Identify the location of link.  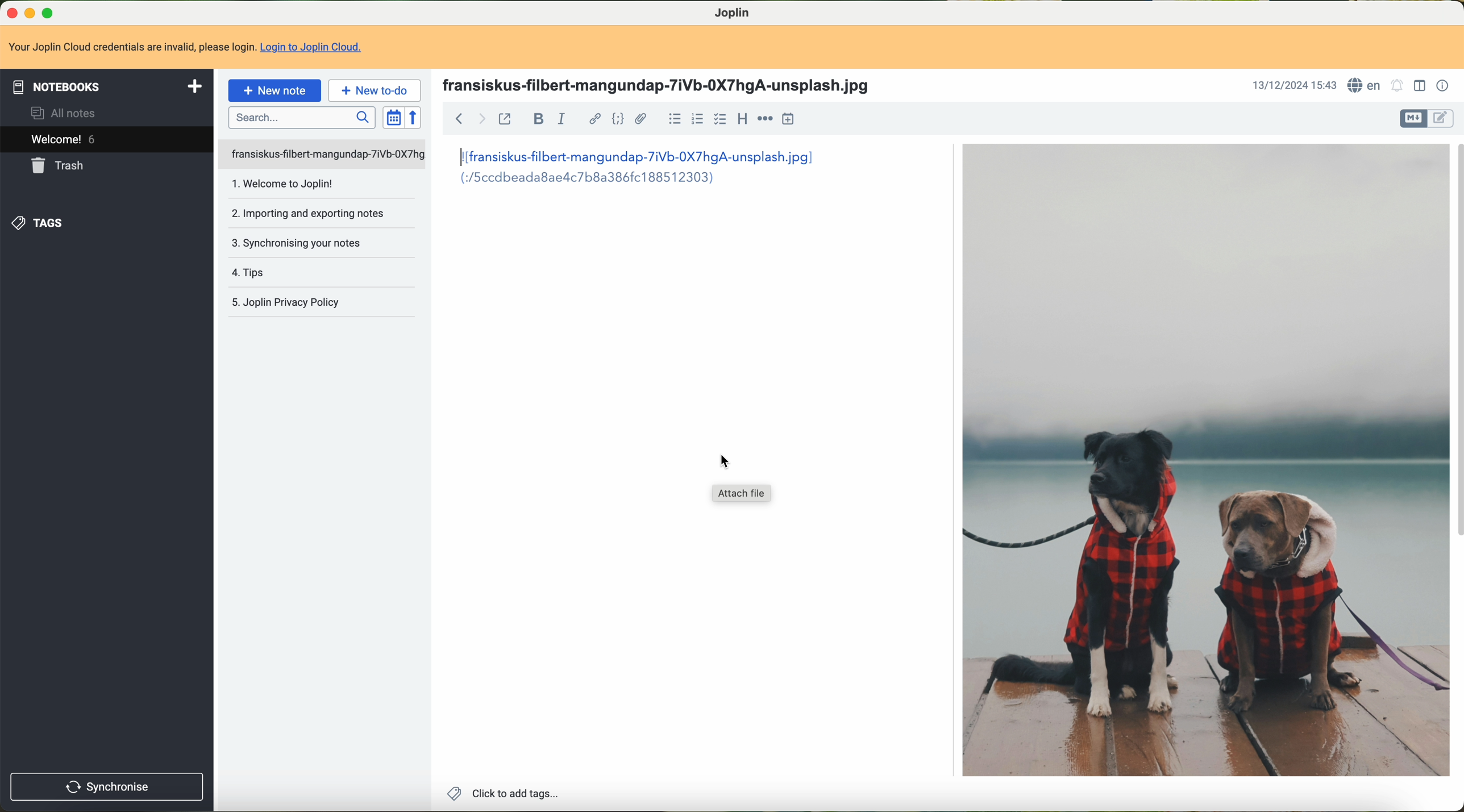
(632, 165).